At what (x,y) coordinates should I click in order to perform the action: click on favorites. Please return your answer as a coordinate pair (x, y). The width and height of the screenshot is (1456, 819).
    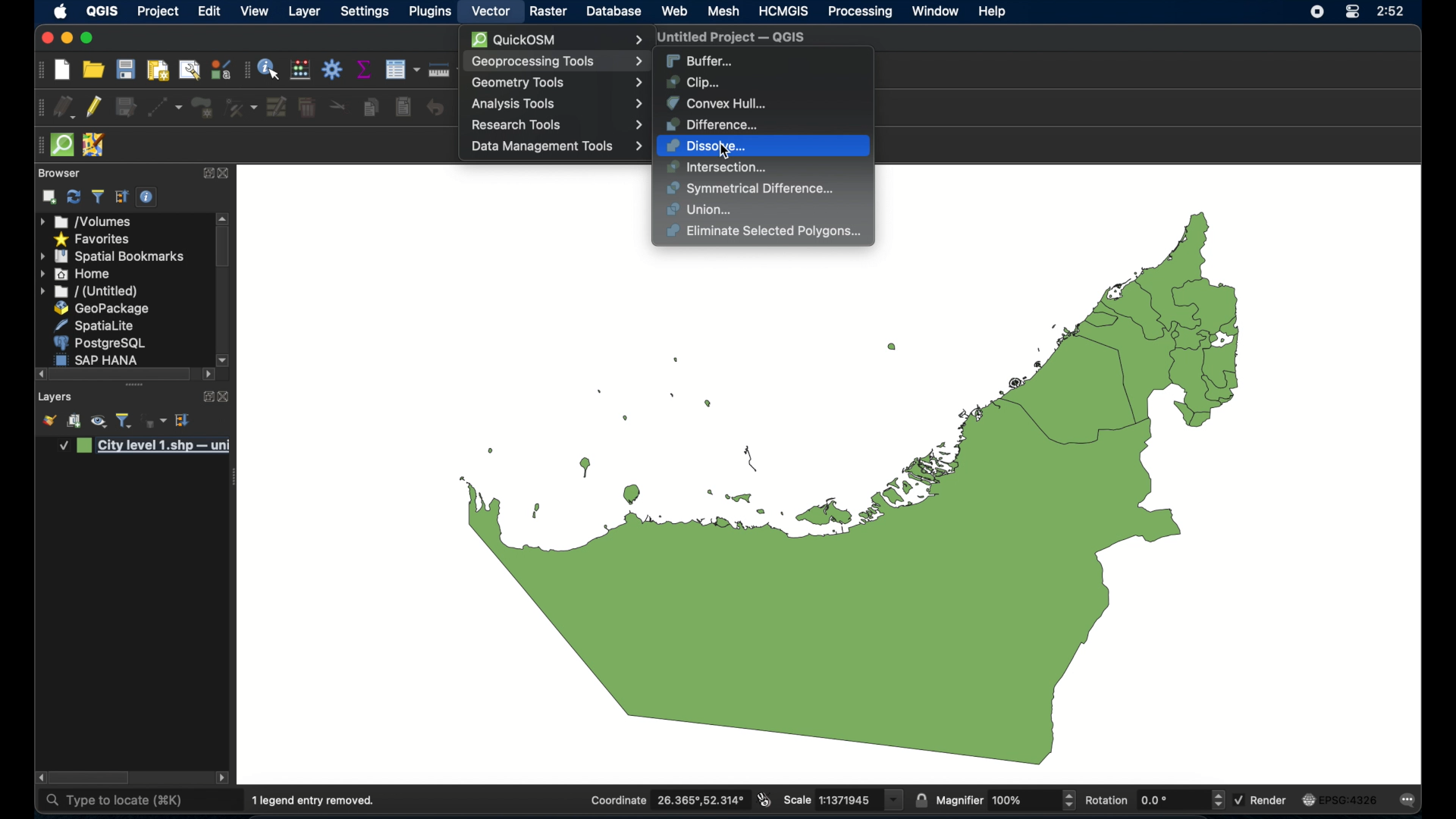
    Looking at the image, I should click on (93, 240).